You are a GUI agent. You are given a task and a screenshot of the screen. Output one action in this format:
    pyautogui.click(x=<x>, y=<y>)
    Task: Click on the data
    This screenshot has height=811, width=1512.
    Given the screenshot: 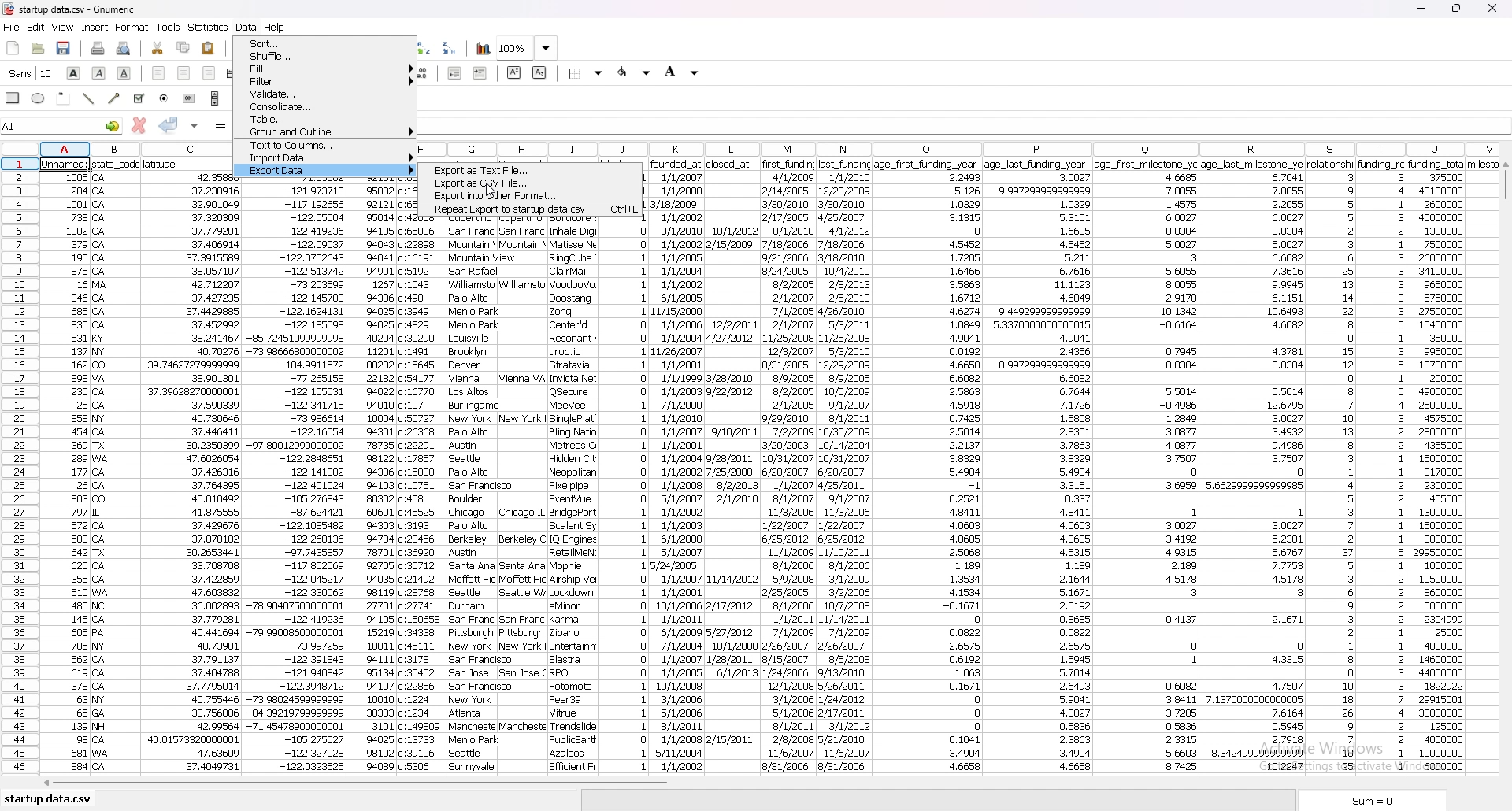 What is the action you would take?
    pyautogui.click(x=523, y=495)
    